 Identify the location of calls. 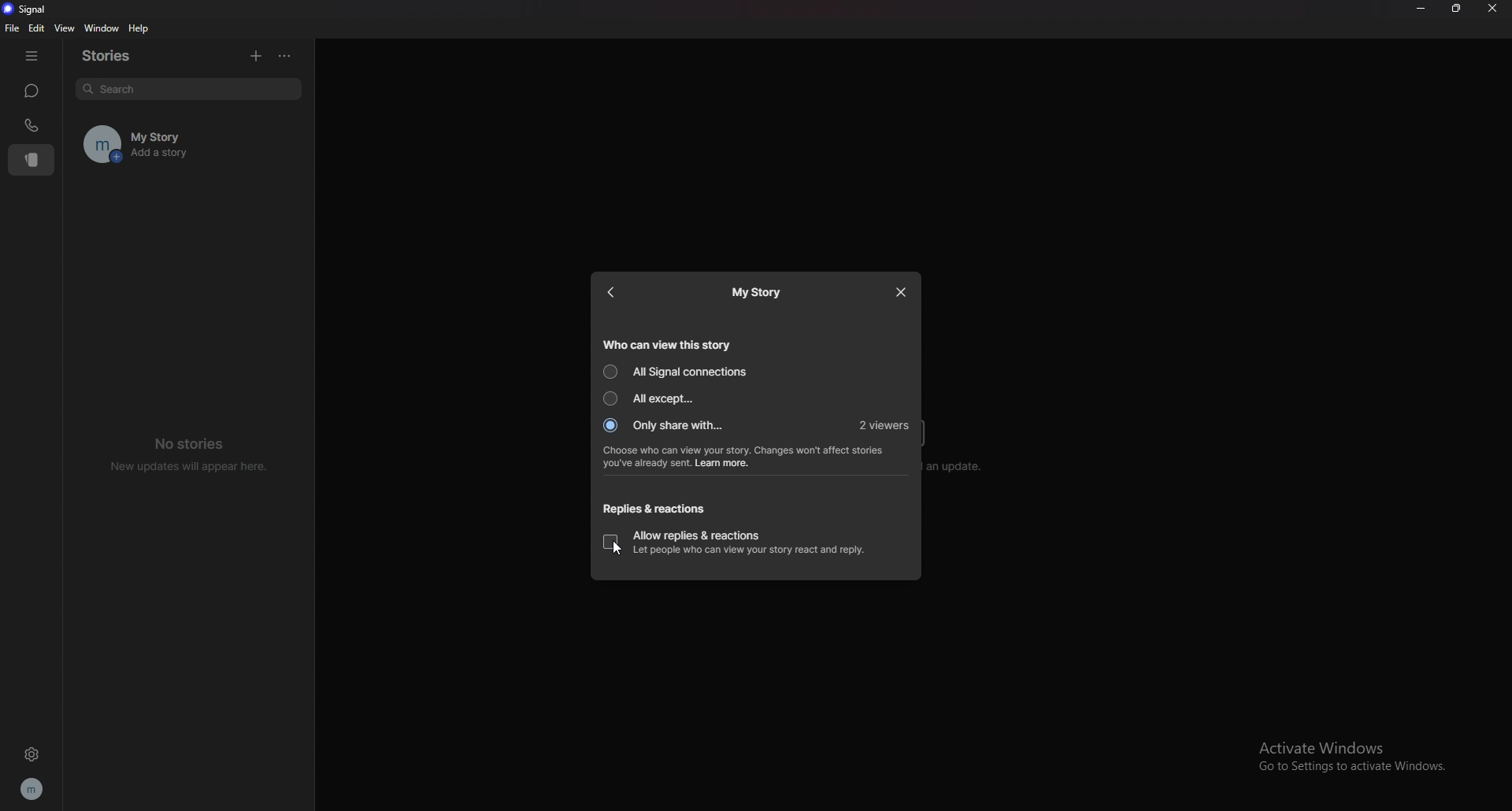
(34, 124).